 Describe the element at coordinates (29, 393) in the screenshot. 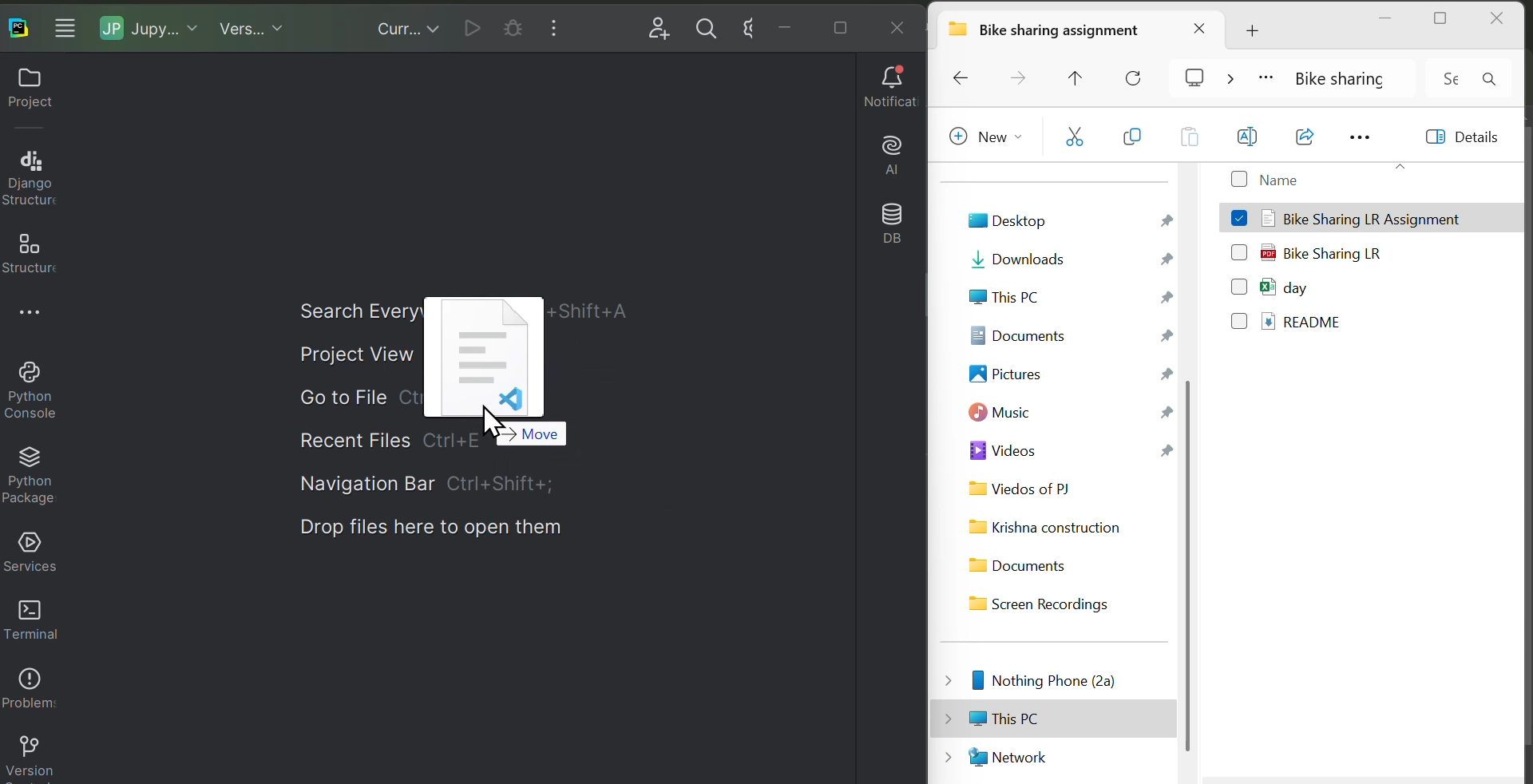

I see `Python console` at that location.